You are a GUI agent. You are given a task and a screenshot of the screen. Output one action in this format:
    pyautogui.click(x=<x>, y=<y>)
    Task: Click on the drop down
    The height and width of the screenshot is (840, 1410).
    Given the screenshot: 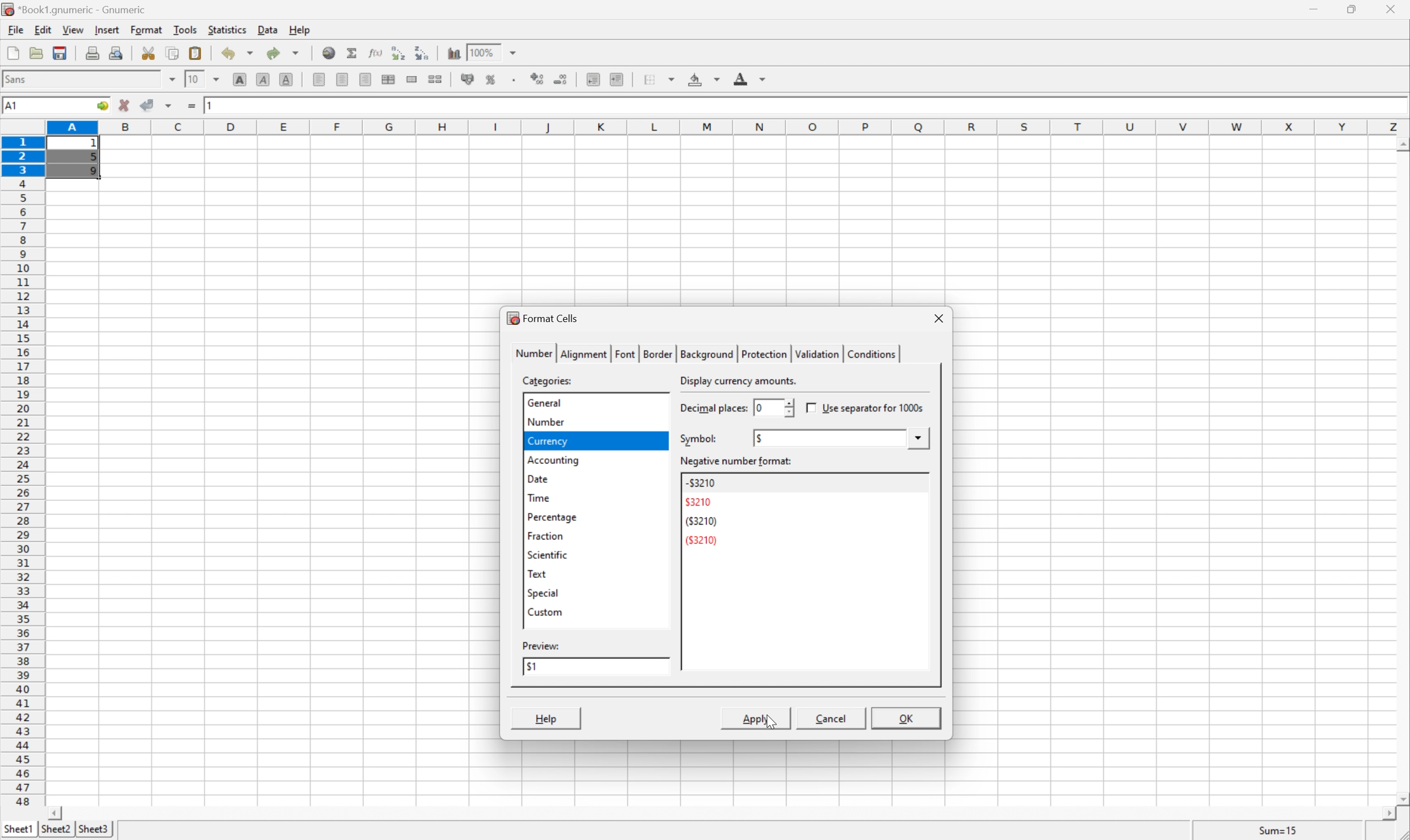 What is the action you would take?
    pyautogui.click(x=220, y=79)
    